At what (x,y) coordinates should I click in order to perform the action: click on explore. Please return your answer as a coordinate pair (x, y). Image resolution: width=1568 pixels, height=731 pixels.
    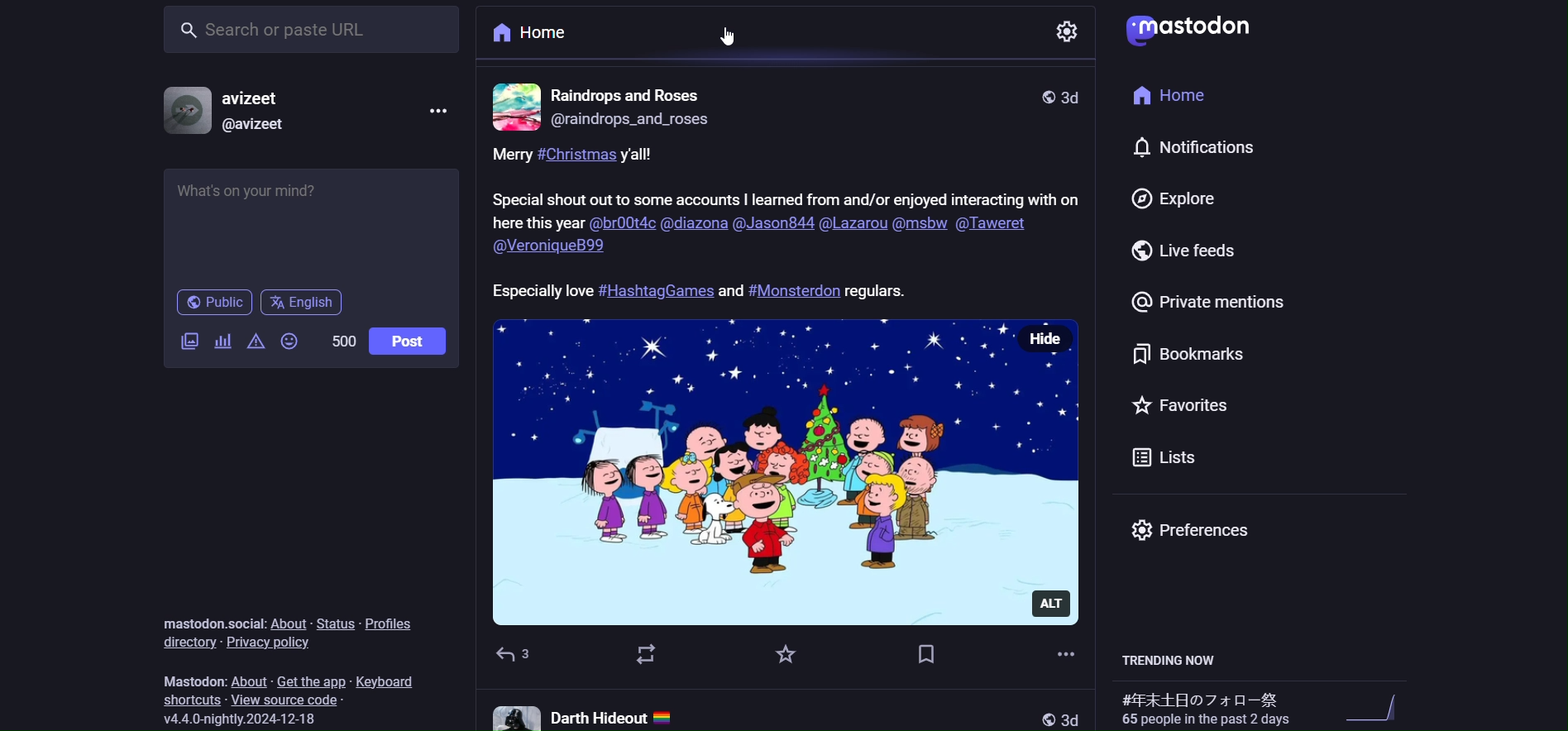
    Looking at the image, I should click on (1172, 197).